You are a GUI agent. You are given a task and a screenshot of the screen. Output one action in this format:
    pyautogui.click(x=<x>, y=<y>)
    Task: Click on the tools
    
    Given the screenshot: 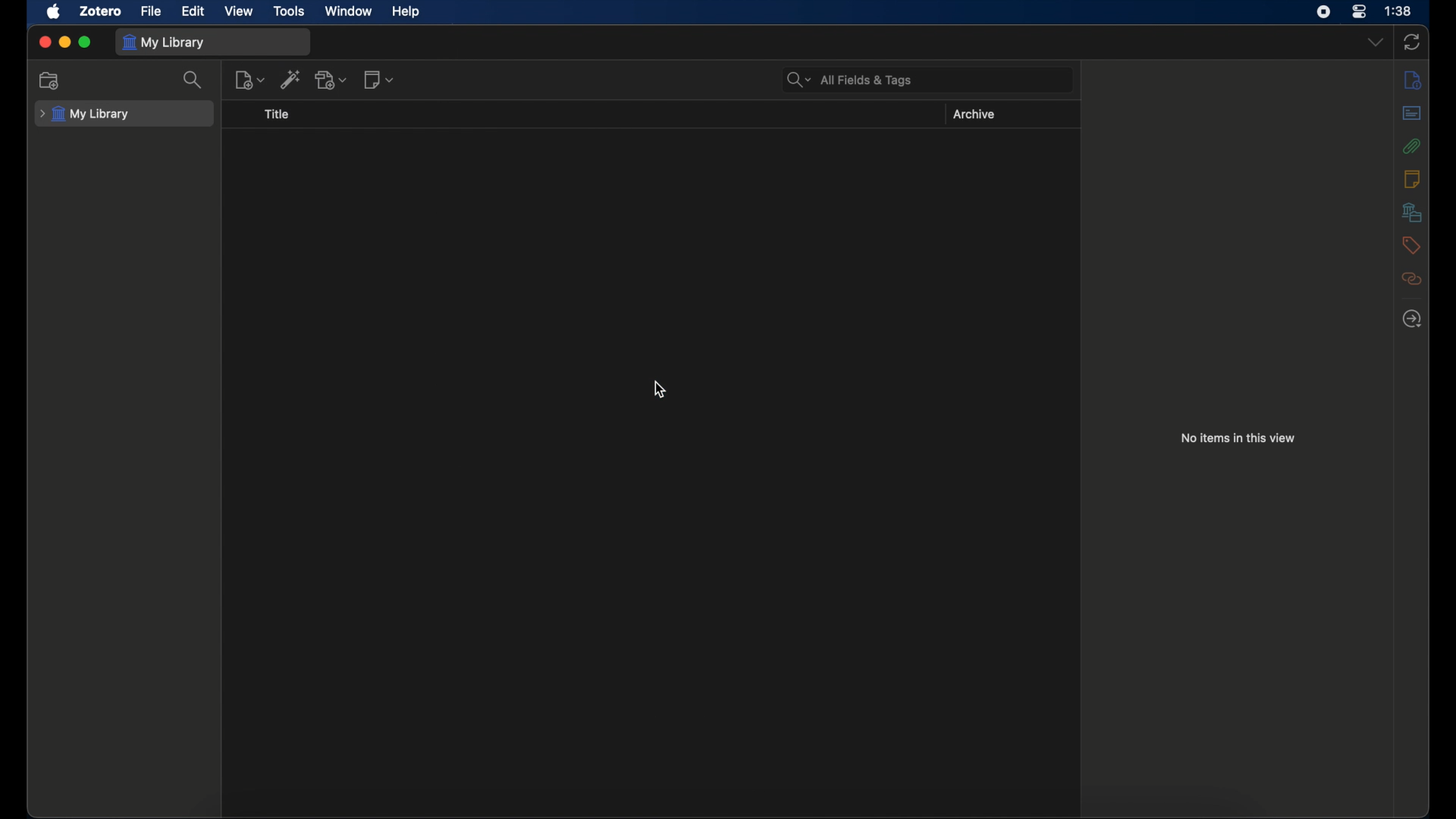 What is the action you would take?
    pyautogui.click(x=288, y=11)
    